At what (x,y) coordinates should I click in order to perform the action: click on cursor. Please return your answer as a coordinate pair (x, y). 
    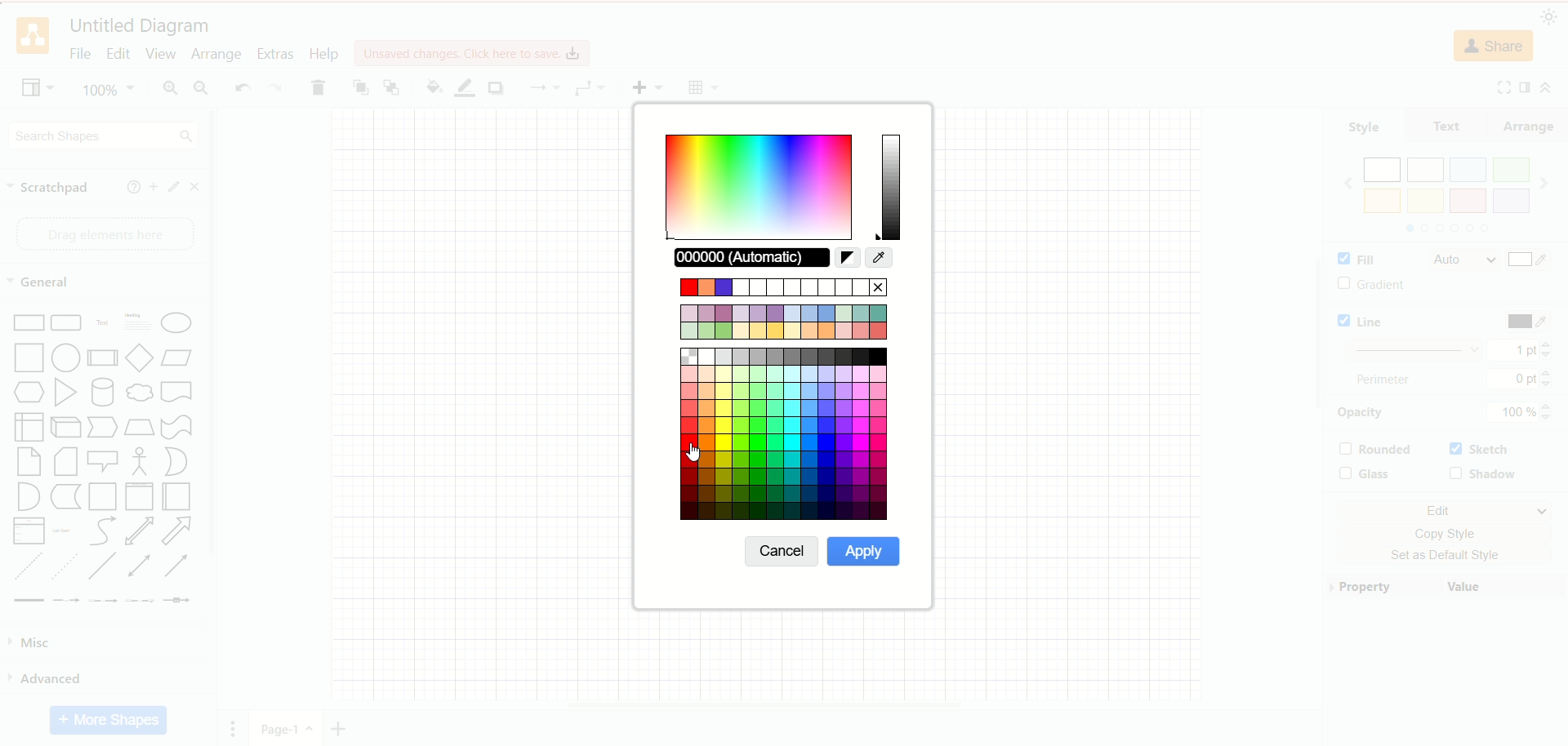
    Looking at the image, I should click on (694, 454).